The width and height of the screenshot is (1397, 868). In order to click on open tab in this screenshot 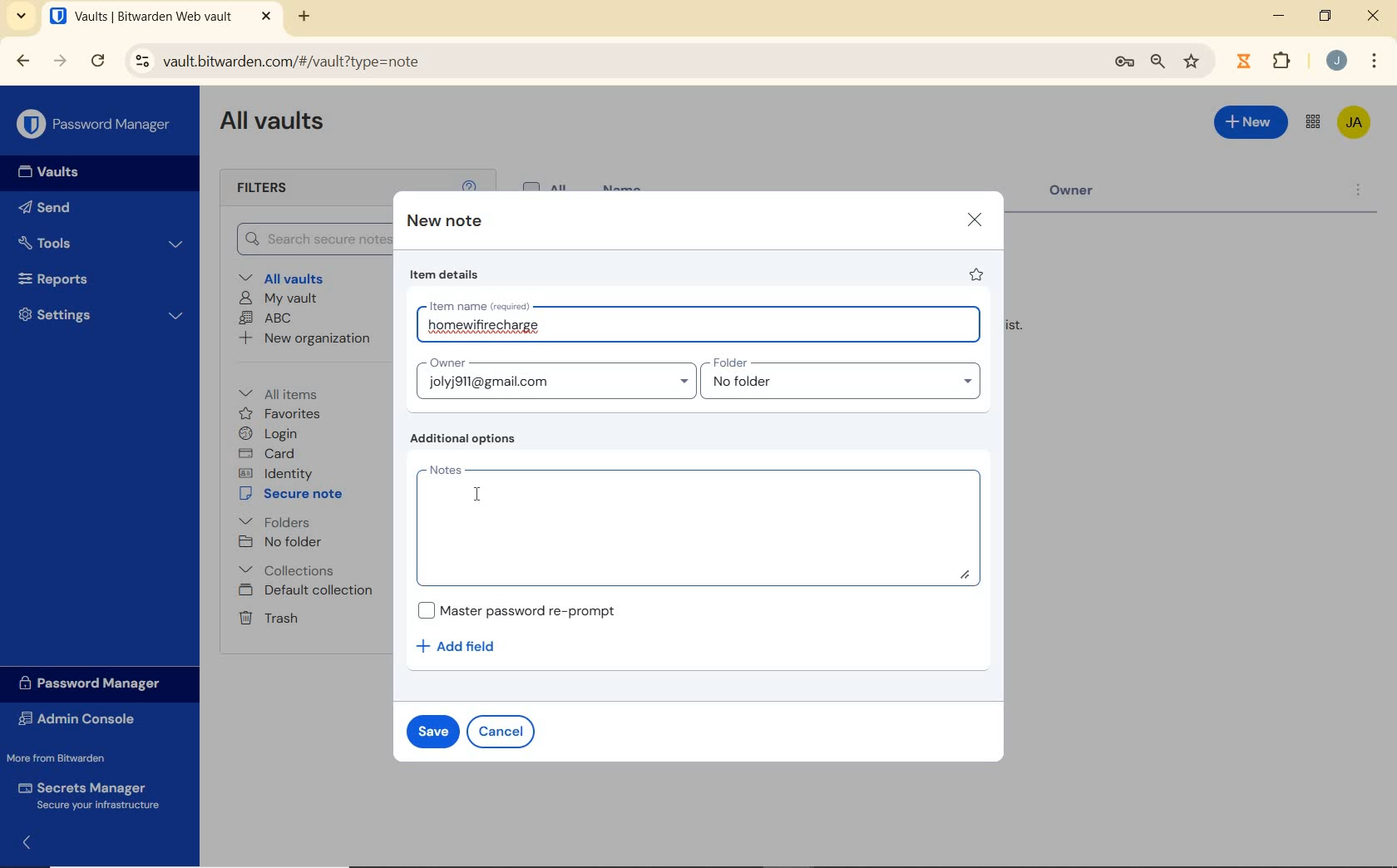, I will do `click(160, 16)`.